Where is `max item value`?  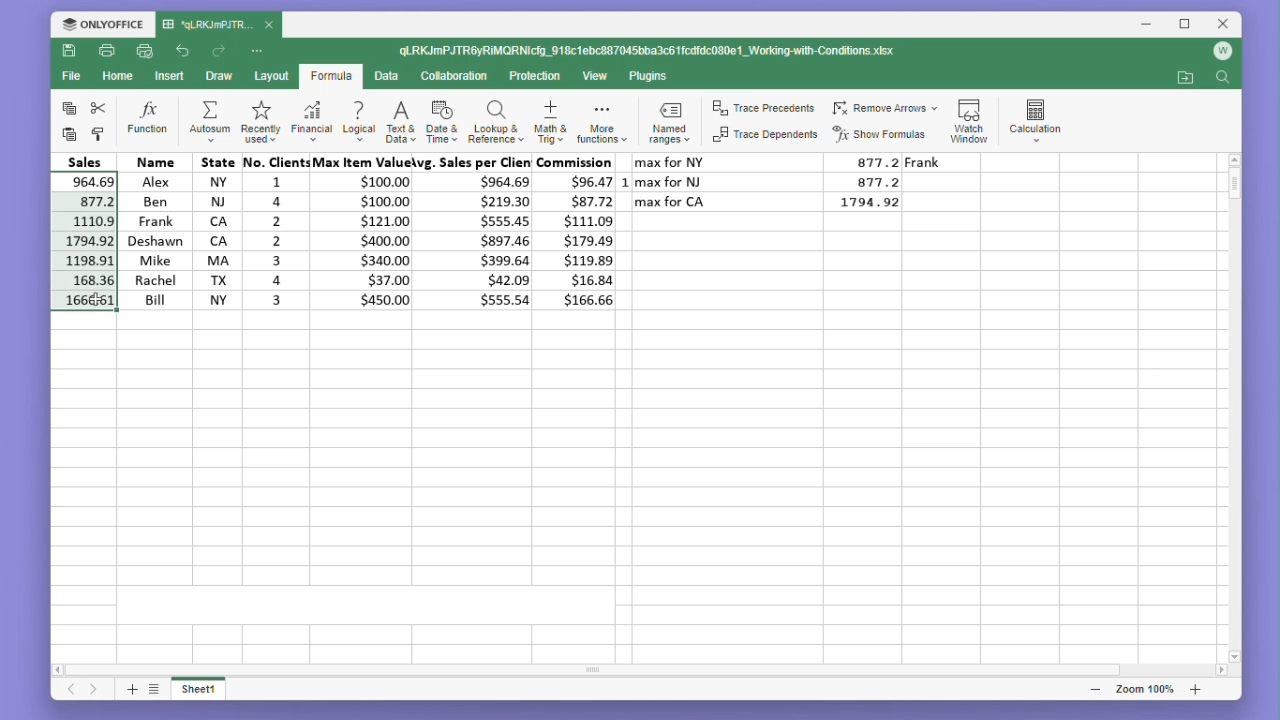 max item value is located at coordinates (359, 231).